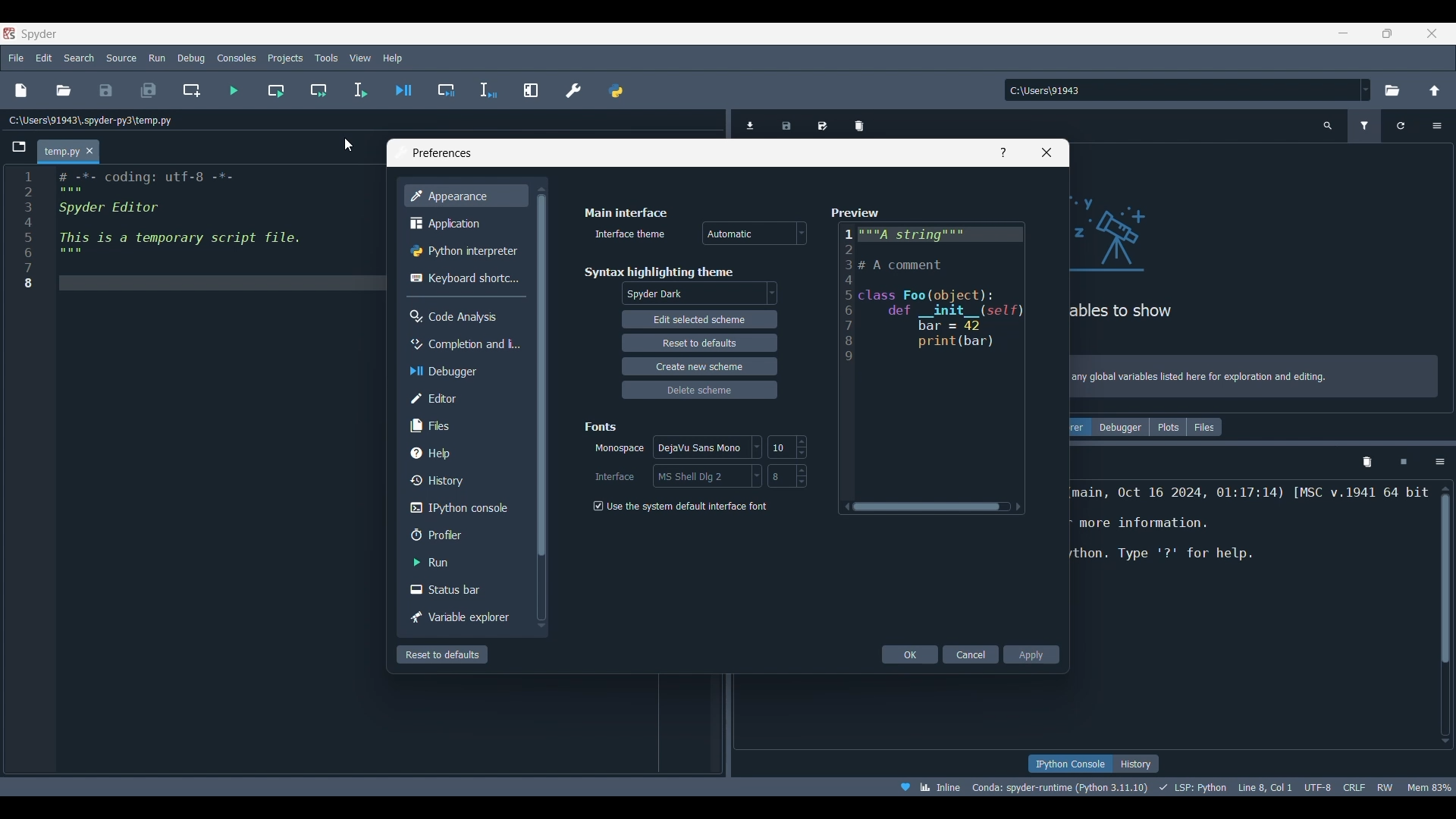 This screenshot has width=1456, height=819. Describe the element at coordinates (464, 344) in the screenshot. I see `completion` at that location.